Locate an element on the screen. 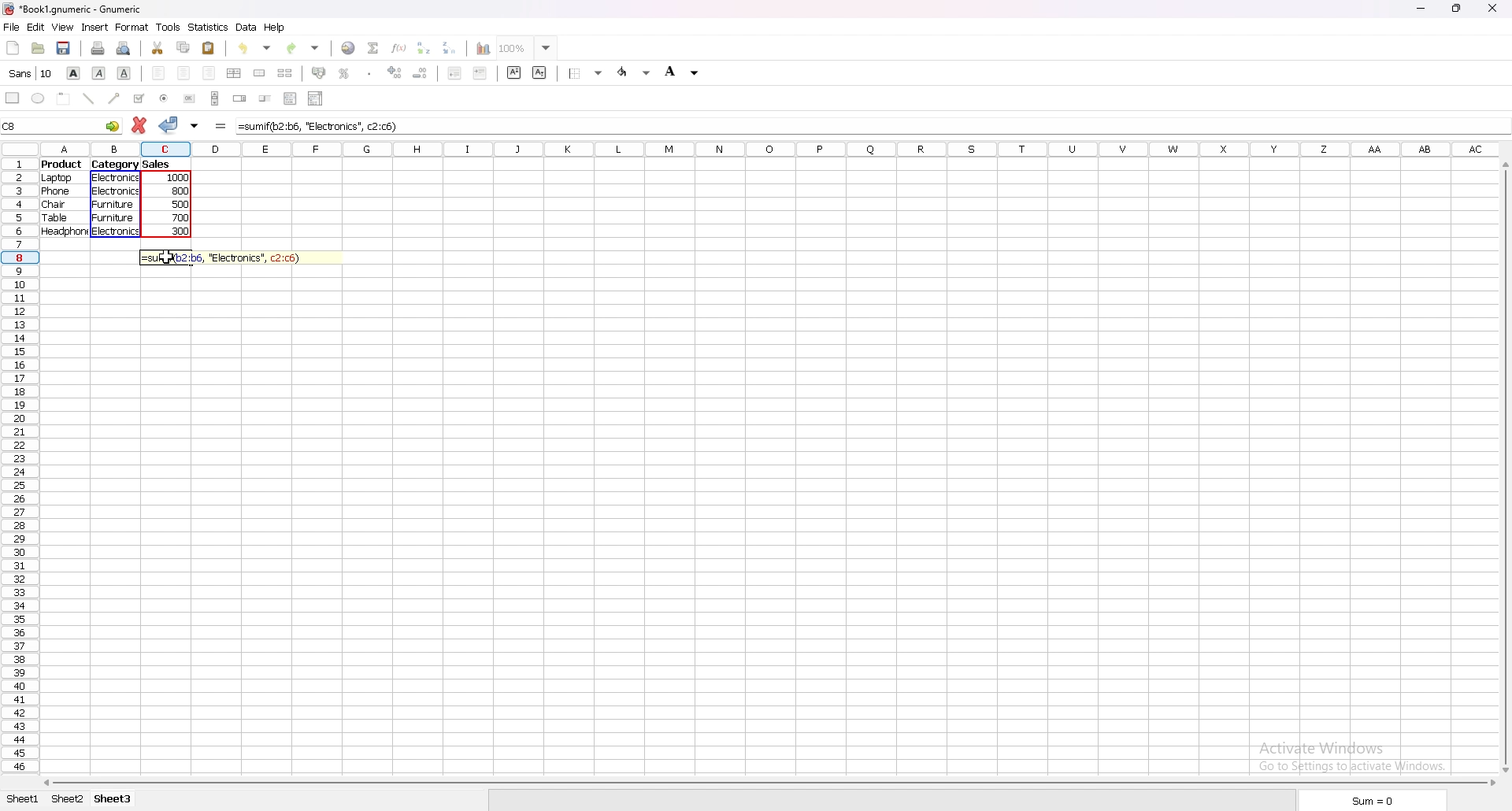  headphone is located at coordinates (65, 232).